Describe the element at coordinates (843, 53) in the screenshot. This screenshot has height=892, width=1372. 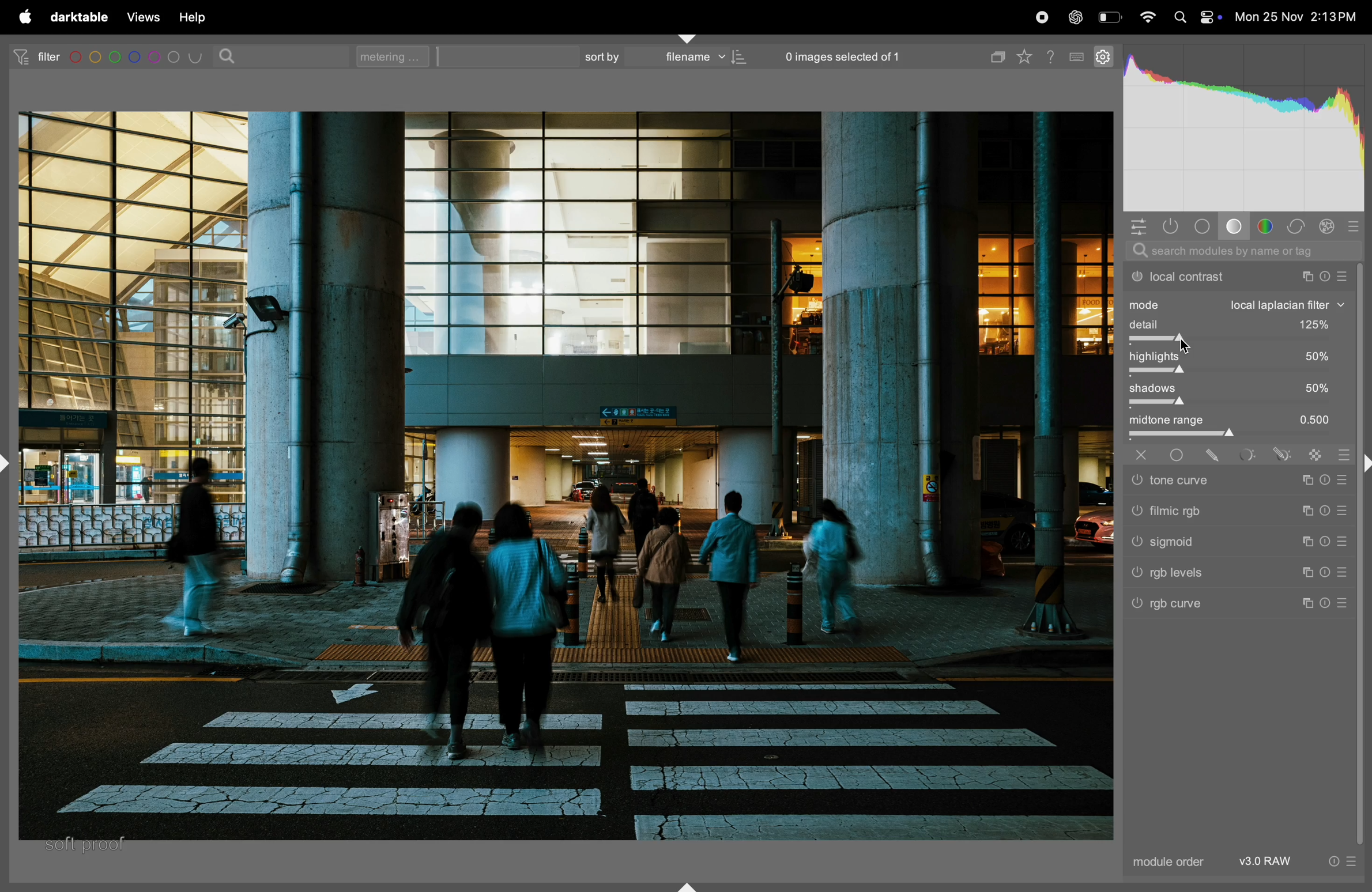
I see `0 images selected of 1` at that location.